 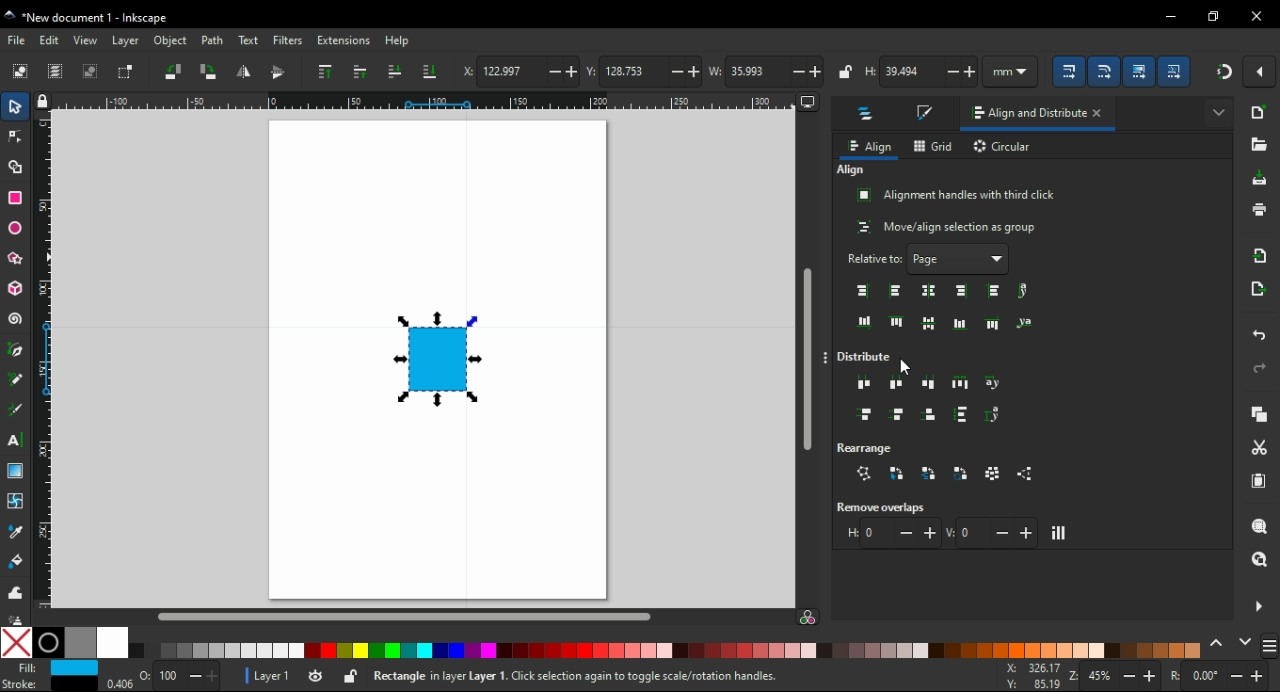 What do you see at coordinates (213, 41) in the screenshot?
I see `path` at bounding box center [213, 41].